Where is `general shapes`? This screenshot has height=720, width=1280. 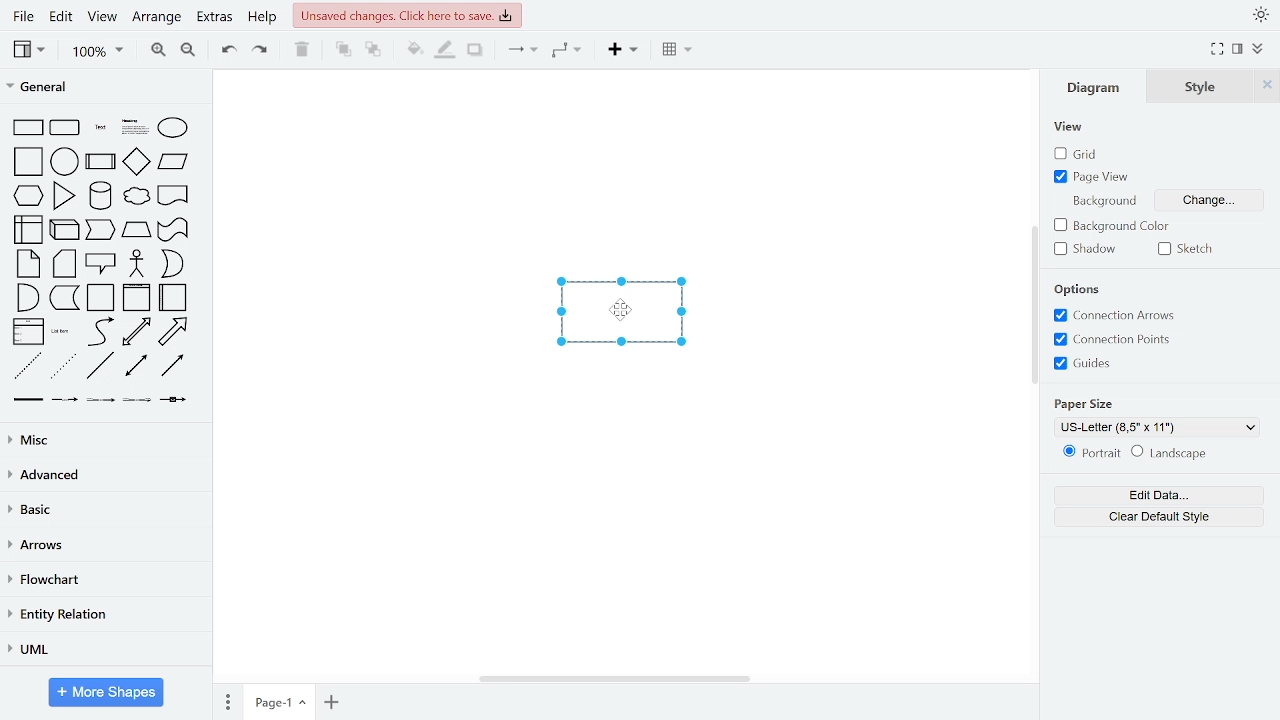
general shapes is located at coordinates (64, 297).